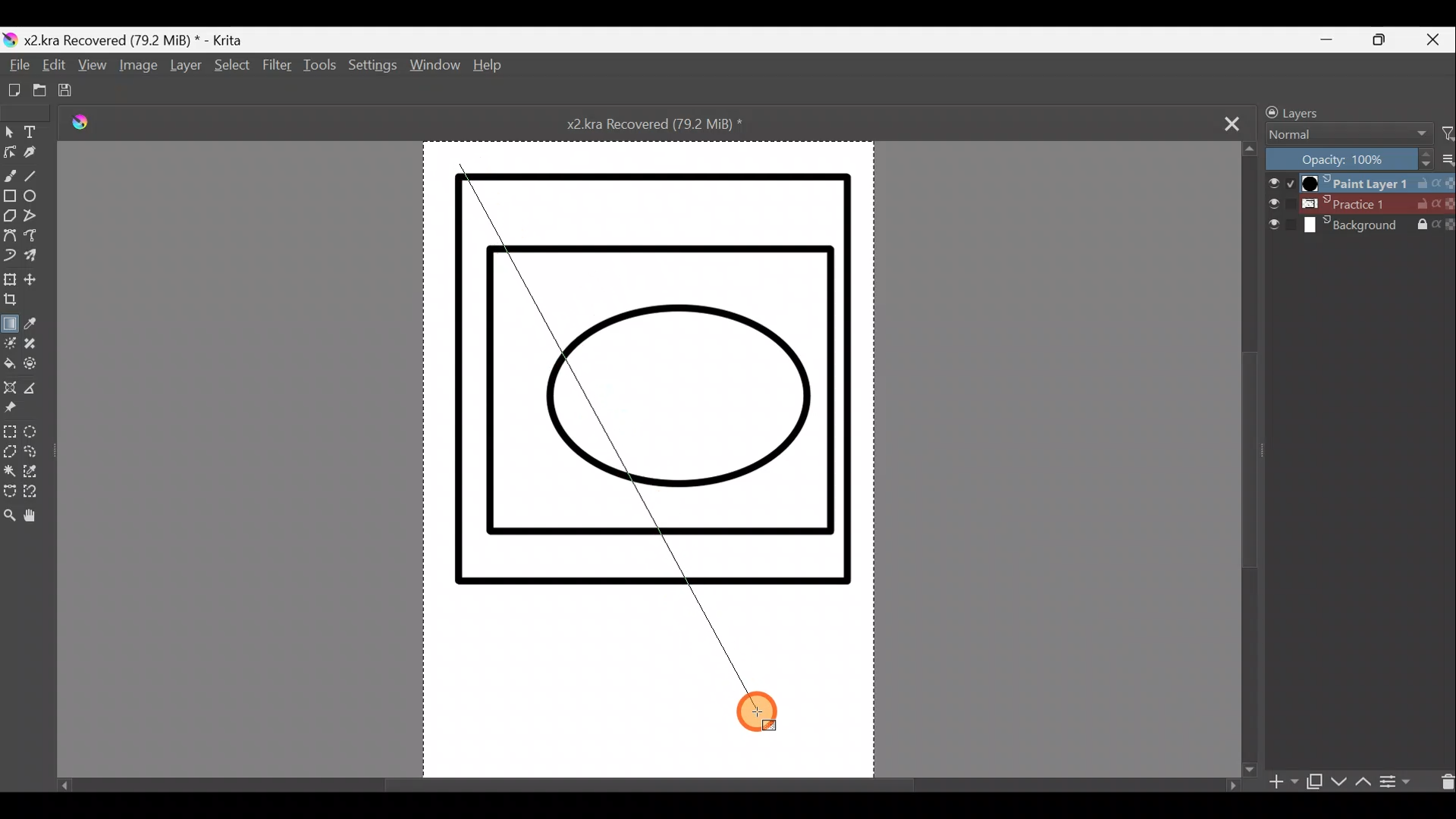 Image resolution: width=1456 pixels, height=819 pixels. What do you see at coordinates (1436, 39) in the screenshot?
I see `Close` at bounding box center [1436, 39].